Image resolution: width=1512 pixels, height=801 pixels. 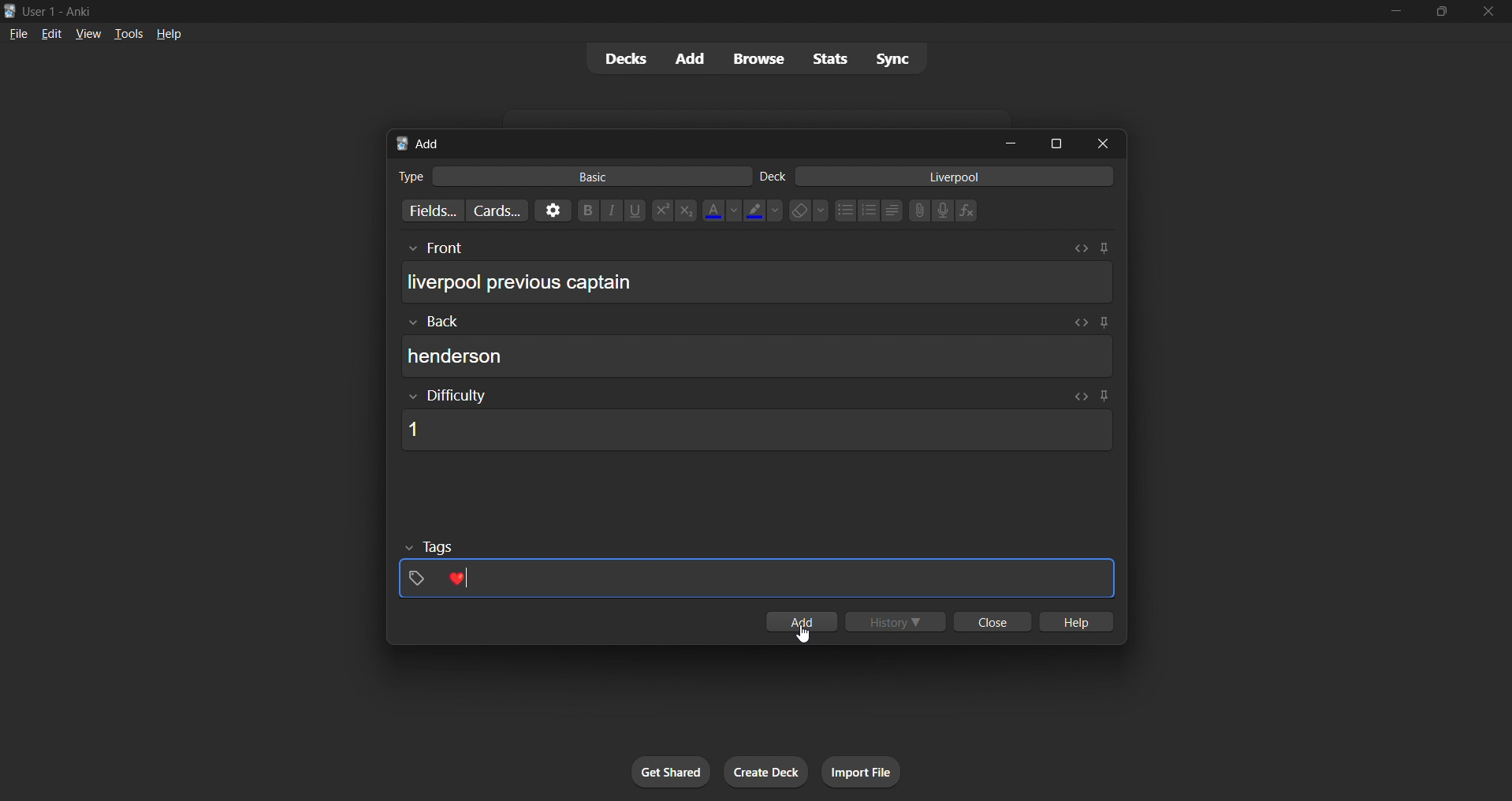 What do you see at coordinates (844, 212) in the screenshot?
I see `dotted list` at bounding box center [844, 212].